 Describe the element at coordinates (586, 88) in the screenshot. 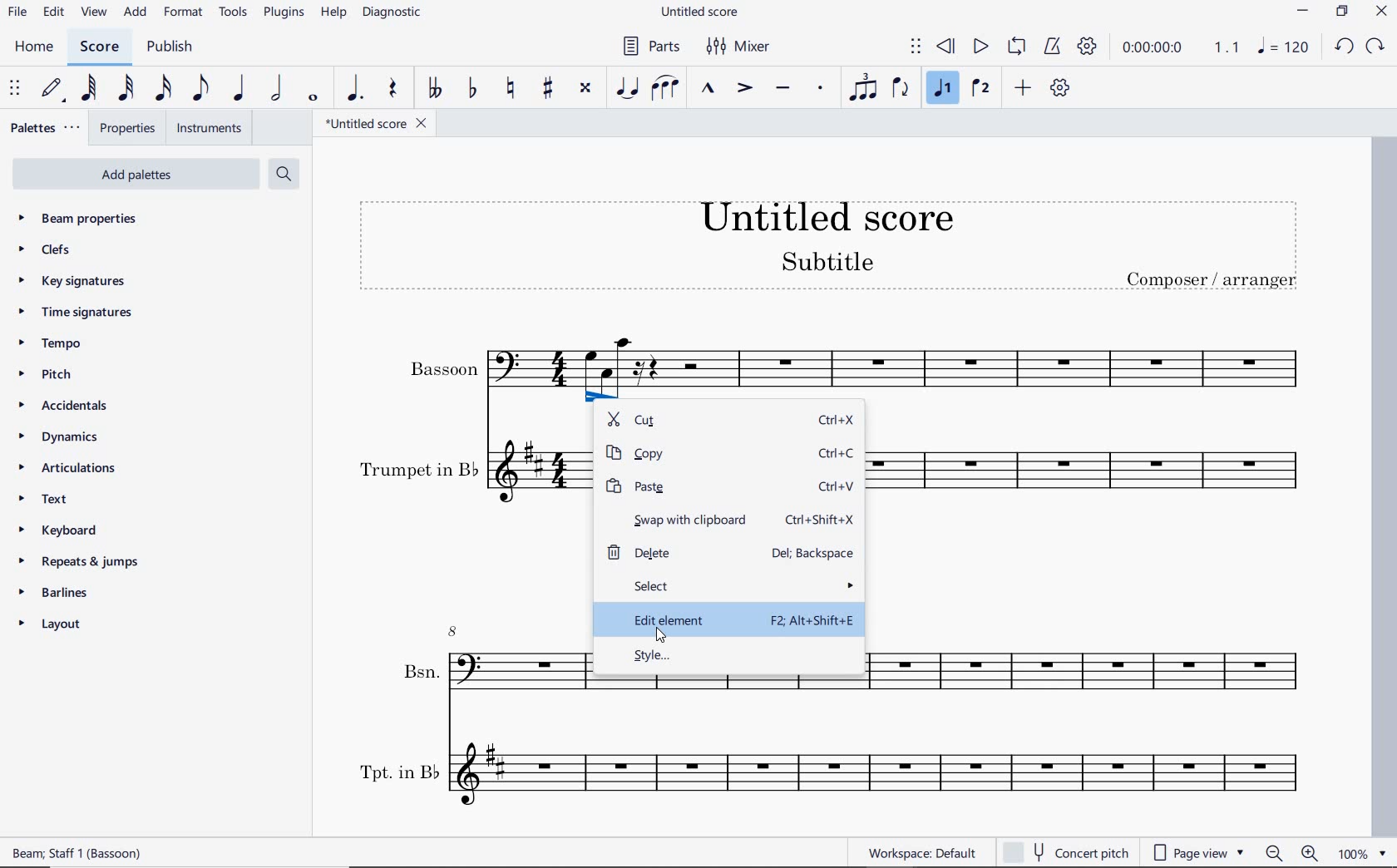

I see `toggle double-sharp` at that location.